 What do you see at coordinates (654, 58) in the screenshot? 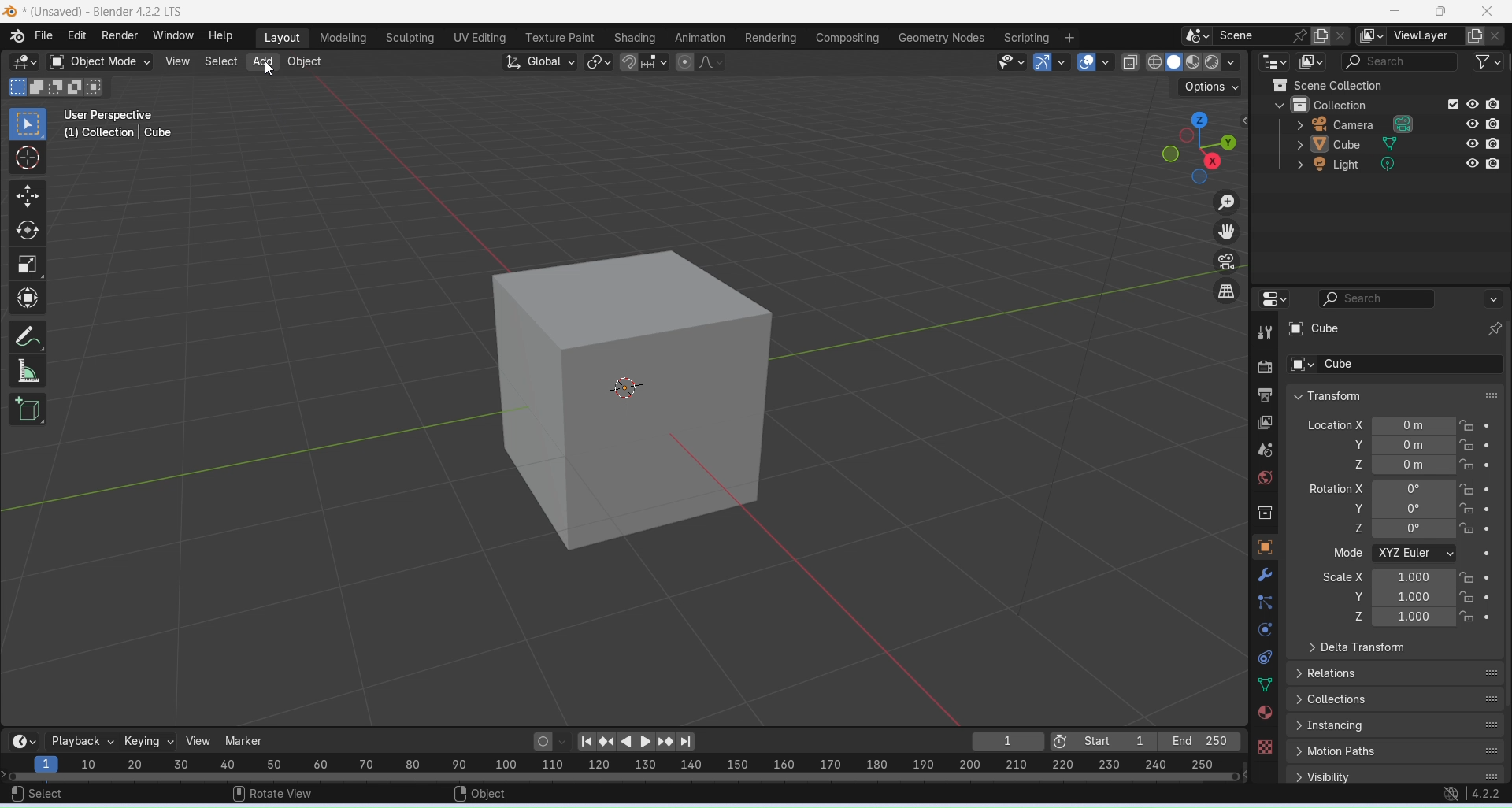
I see `Snapping` at bounding box center [654, 58].